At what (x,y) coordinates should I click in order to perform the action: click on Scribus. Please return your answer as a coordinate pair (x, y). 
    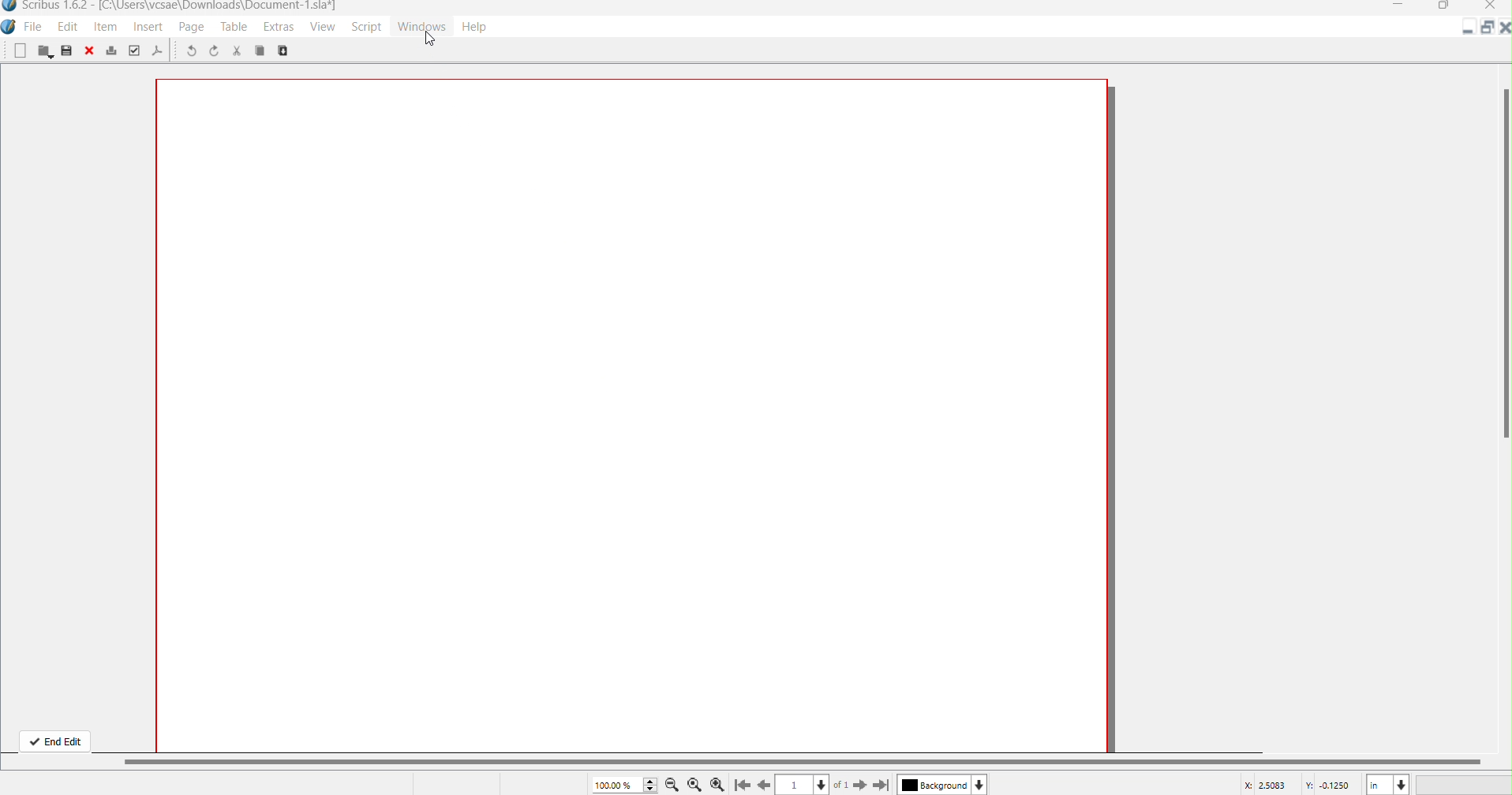
    Looking at the image, I should click on (9, 29).